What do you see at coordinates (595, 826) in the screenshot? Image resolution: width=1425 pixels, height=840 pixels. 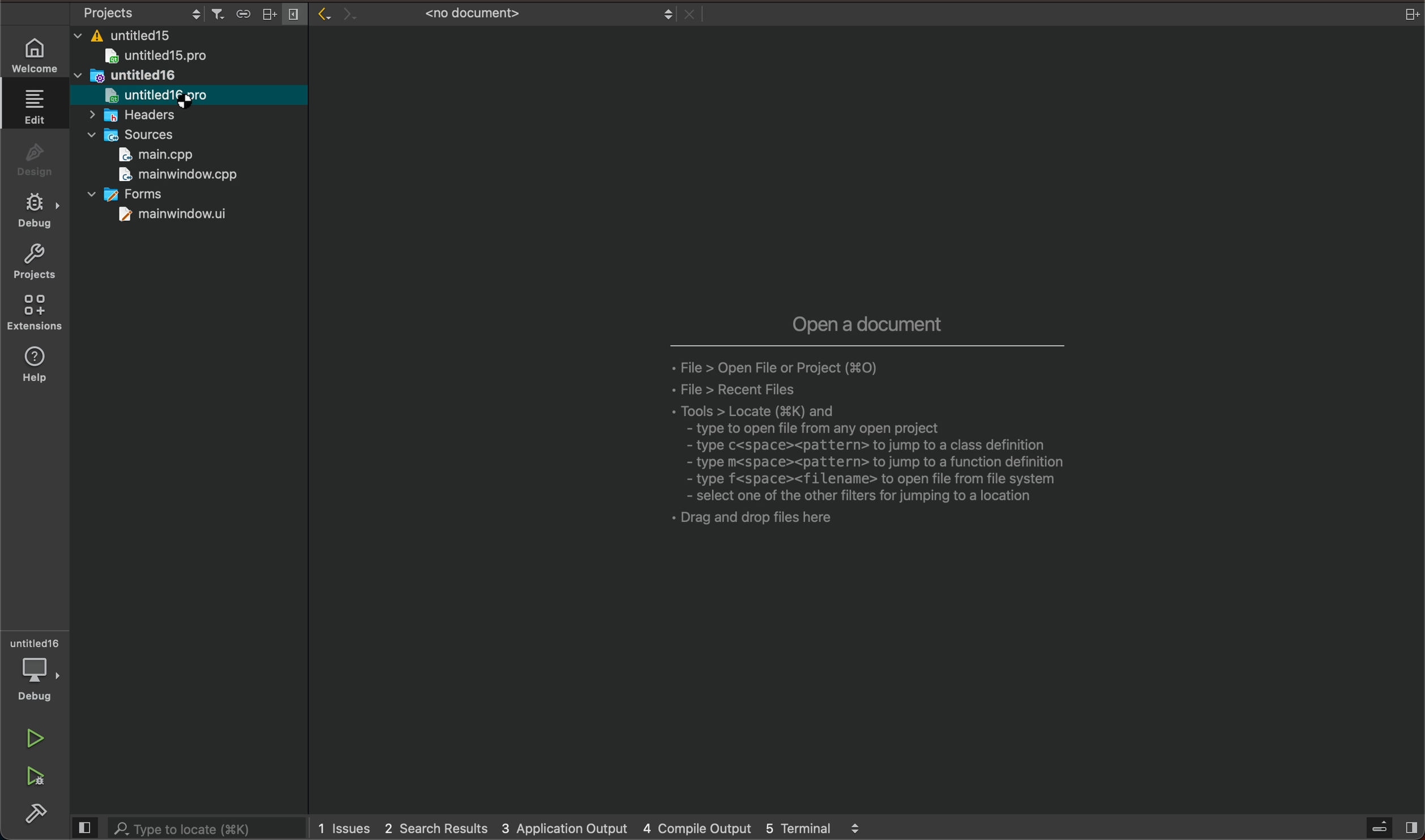 I see `logs` at bounding box center [595, 826].